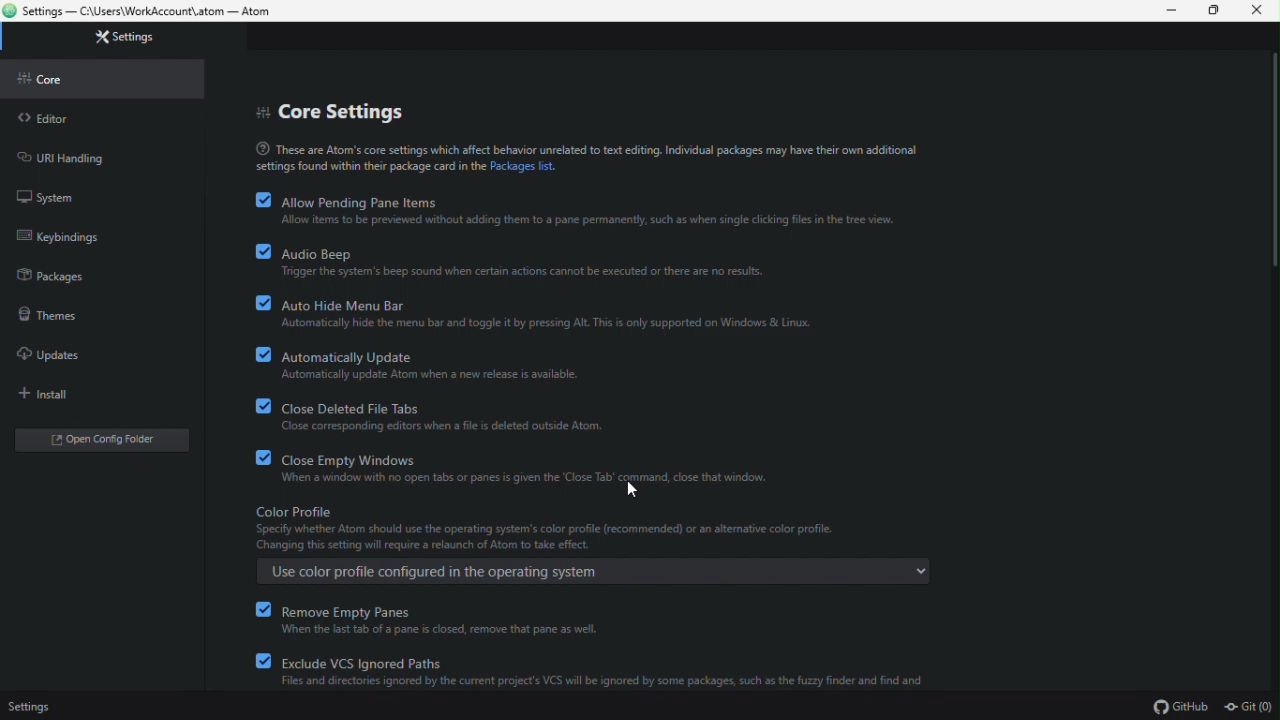  What do you see at coordinates (49, 351) in the screenshot?
I see `updates` at bounding box center [49, 351].